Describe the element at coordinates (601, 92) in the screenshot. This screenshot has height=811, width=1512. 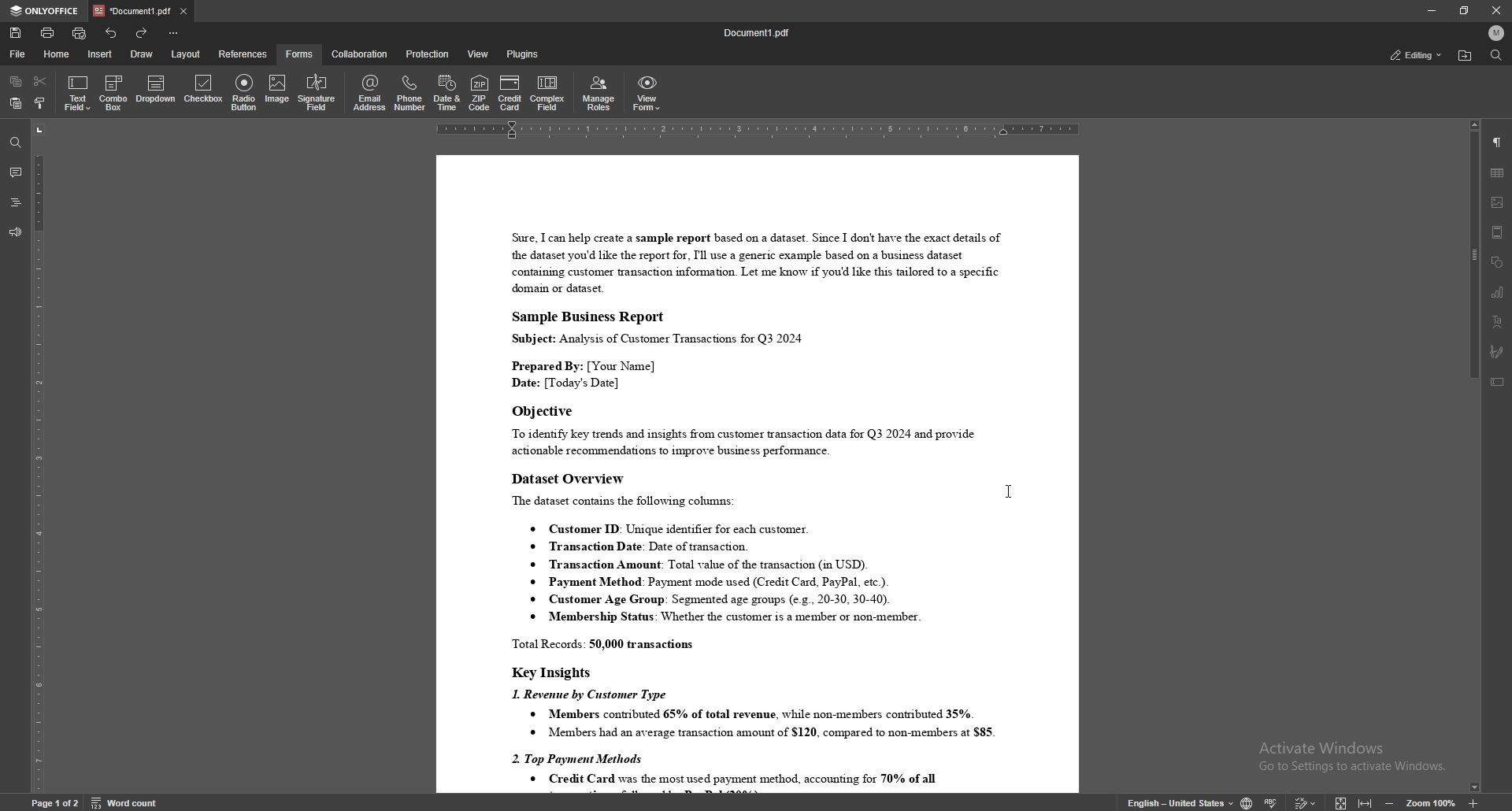
I see `manage roles` at that location.